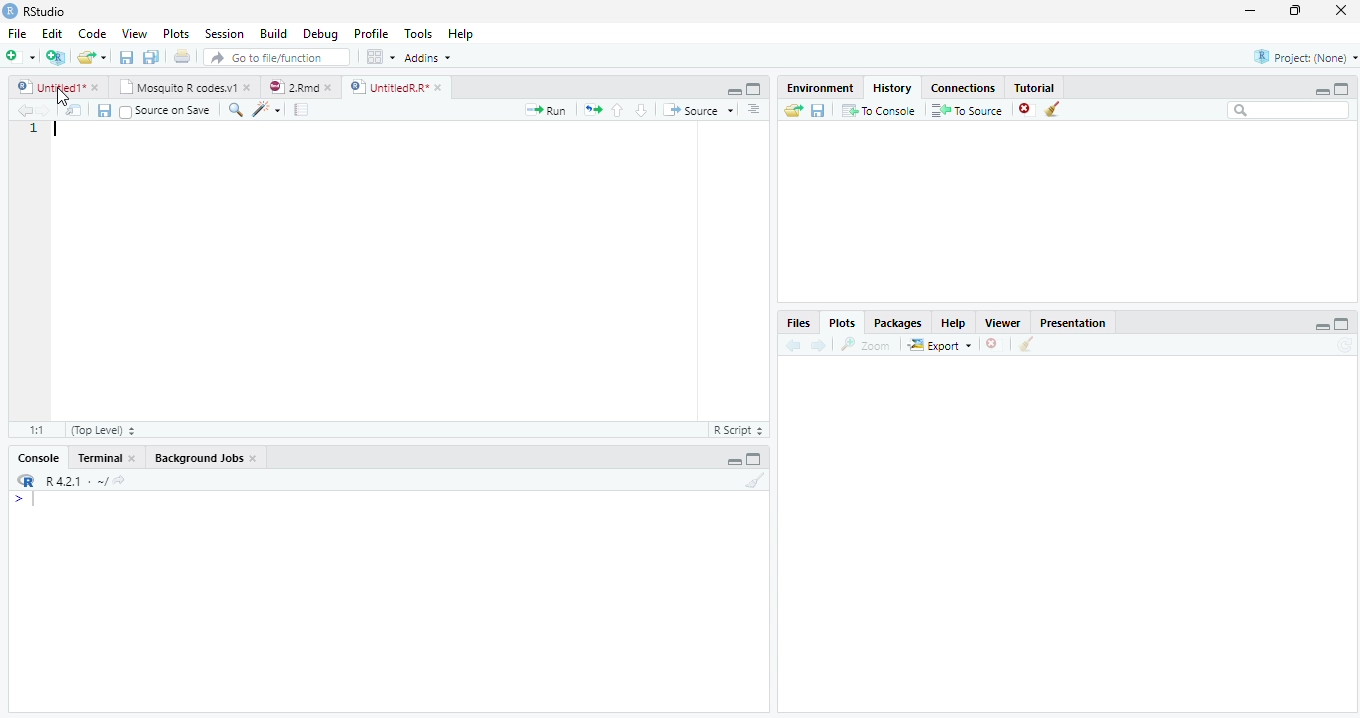 This screenshot has width=1360, height=718. What do you see at coordinates (961, 88) in the screenshot?
I see `Connections` at bounding box center [961, 88].